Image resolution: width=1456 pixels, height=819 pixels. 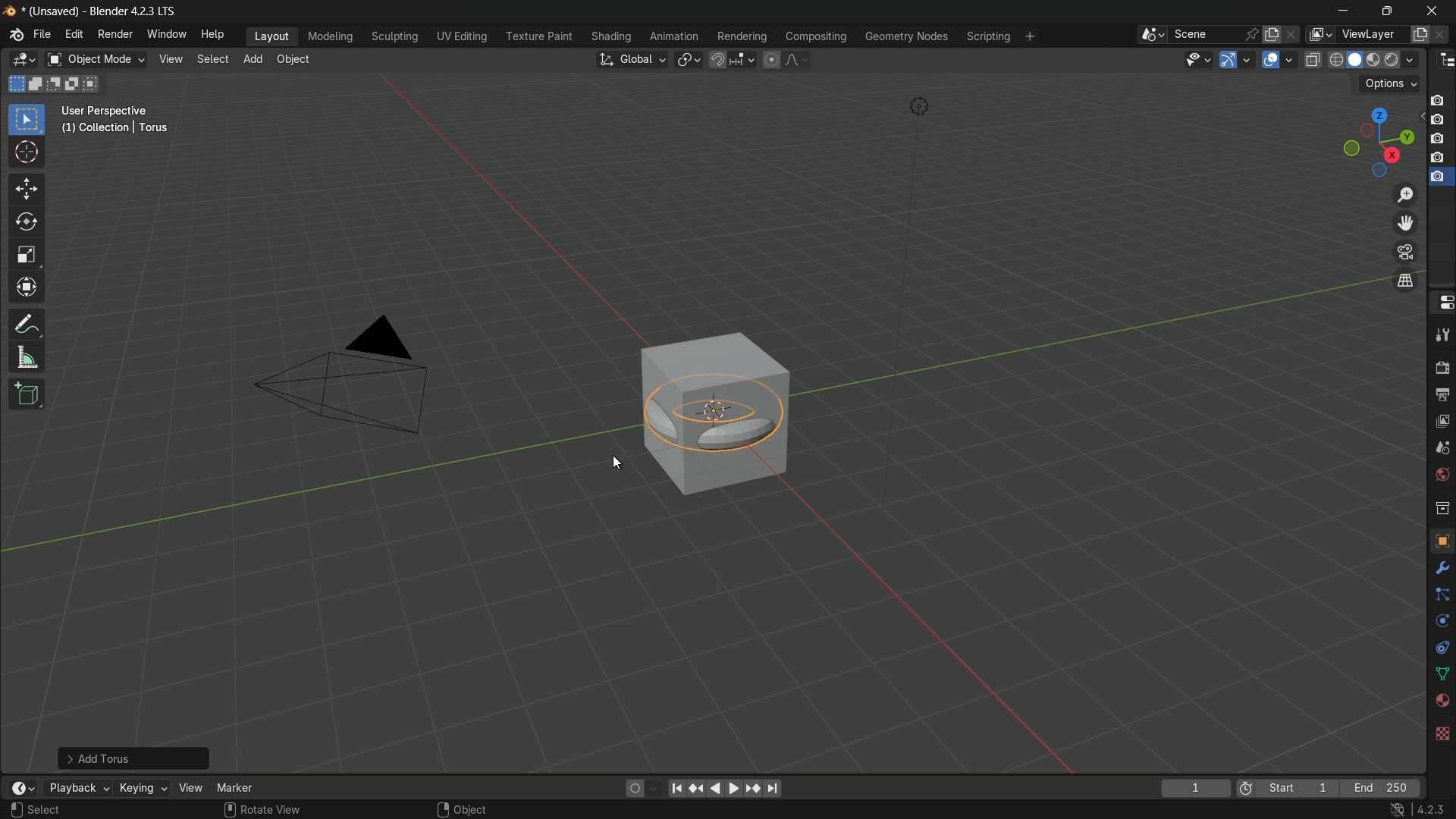 What do you see at coordinates (1288, 58) in the screenshot?
I see `overlays` at bounding box center [1288, 58].